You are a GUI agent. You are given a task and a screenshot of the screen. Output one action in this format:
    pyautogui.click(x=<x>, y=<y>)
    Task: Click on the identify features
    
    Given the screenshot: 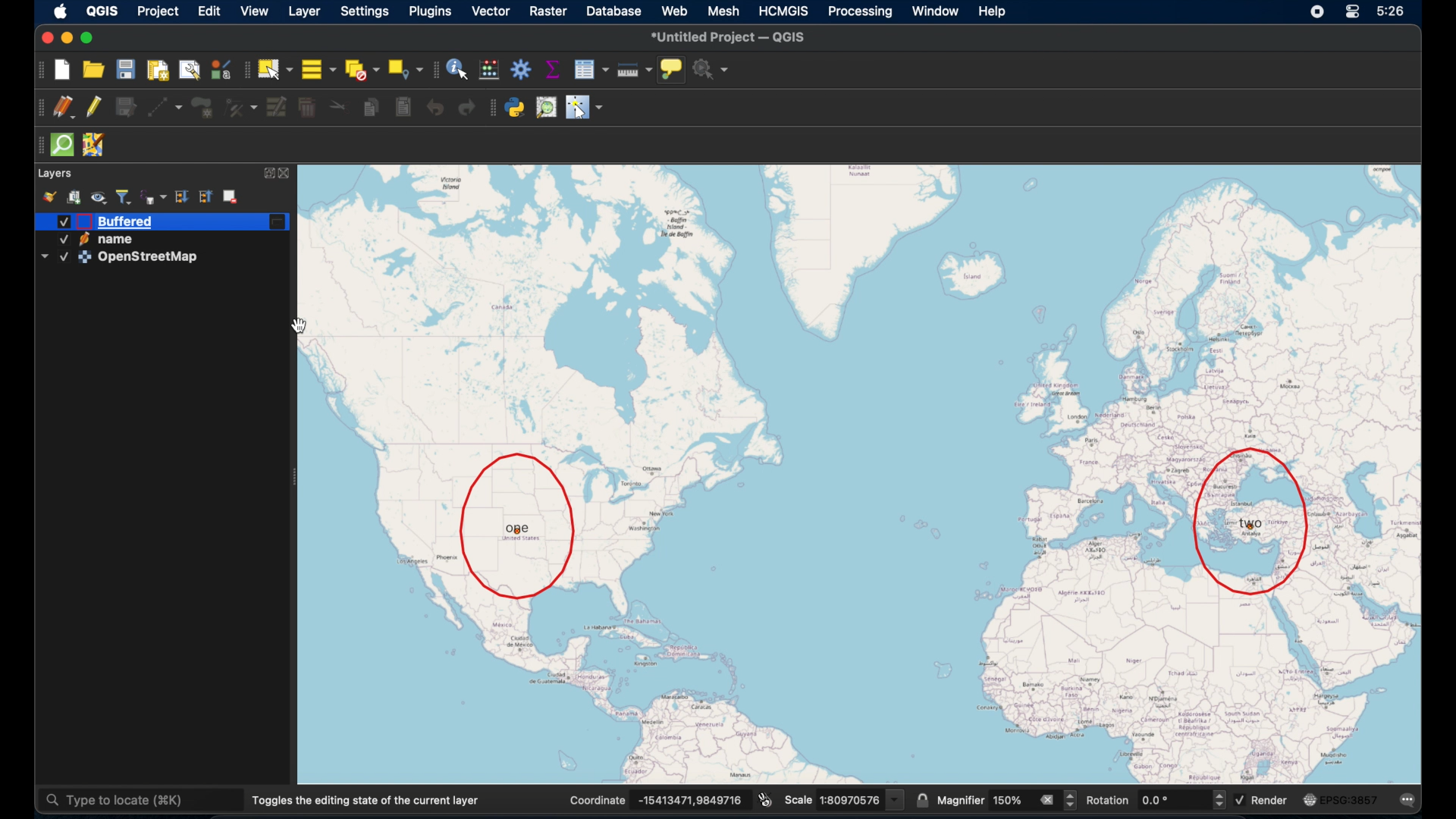 What is the action you would take?
    pyautogui.click(x=457, y=69)
    